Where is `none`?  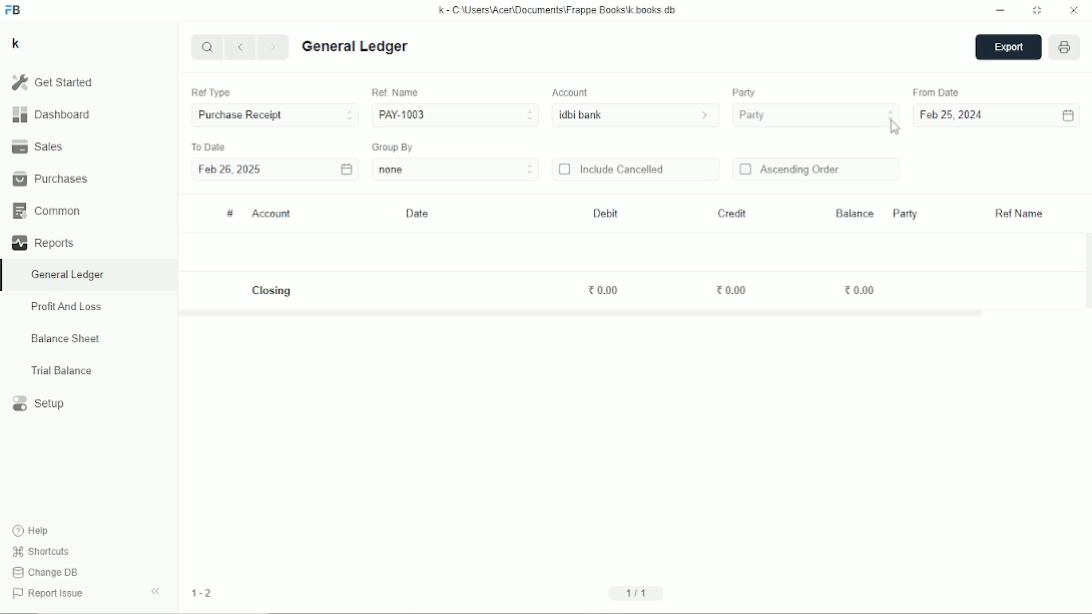
none is located at coordinates (456, 169).